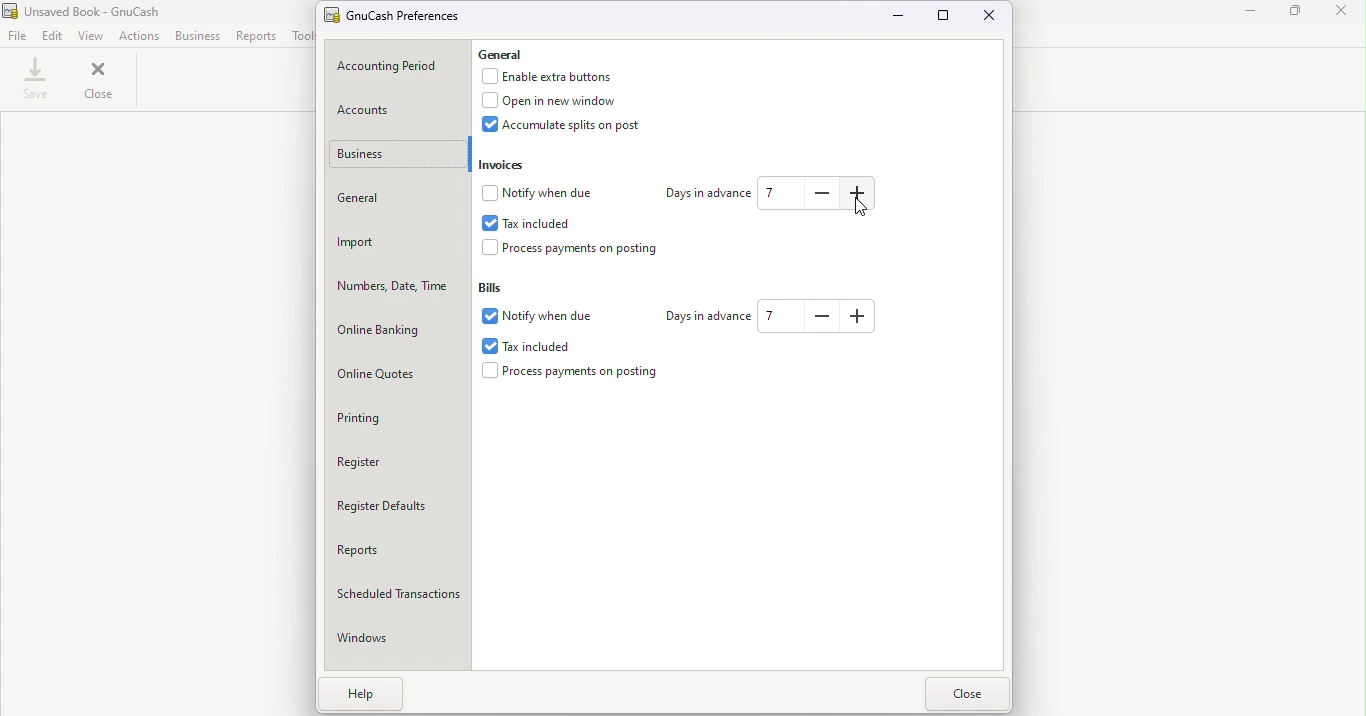  I want to click on Maximize, so click(945, 15).